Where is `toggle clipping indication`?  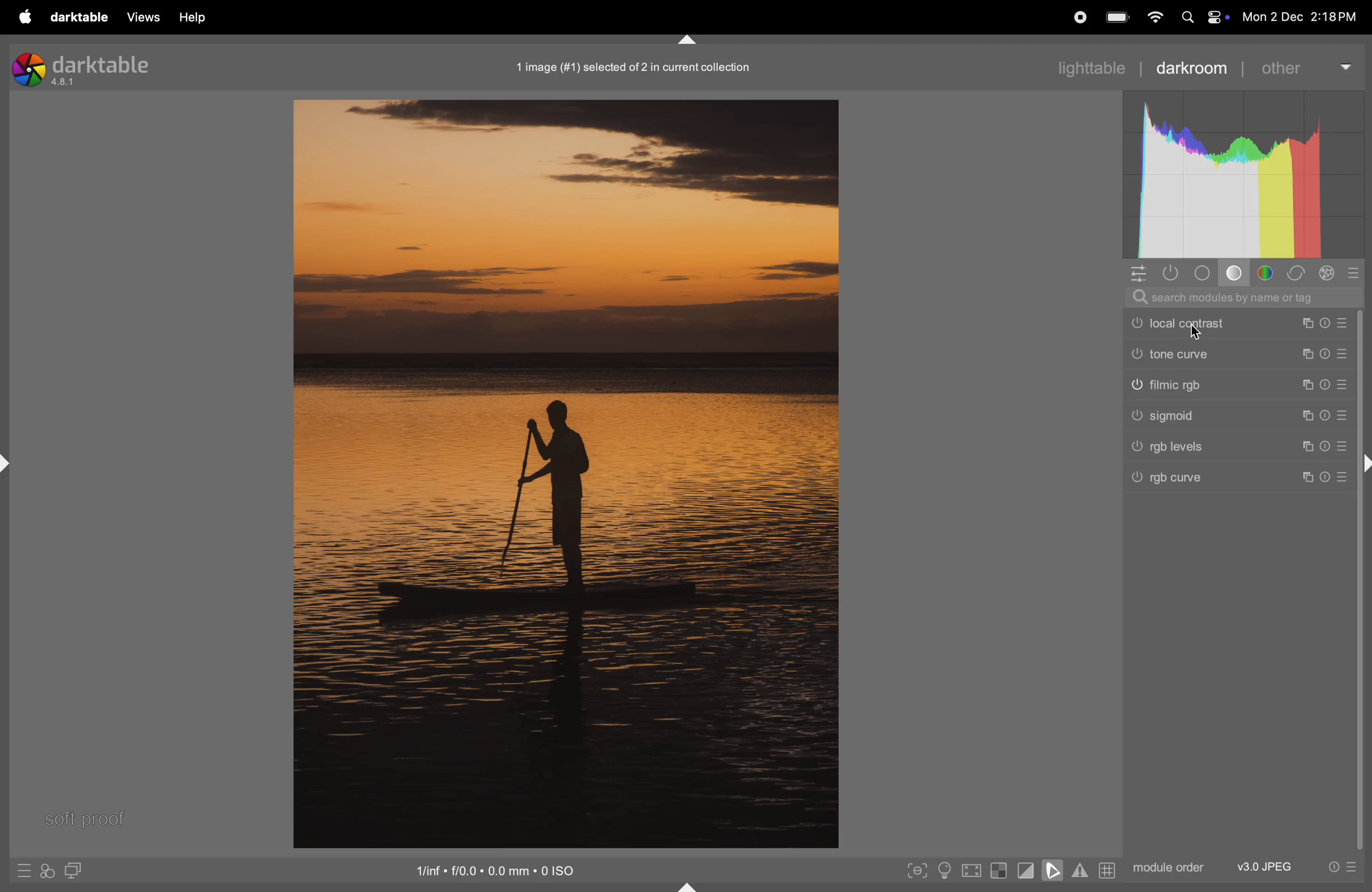 toggle clipping indication is located at coordinates (1026, 870).